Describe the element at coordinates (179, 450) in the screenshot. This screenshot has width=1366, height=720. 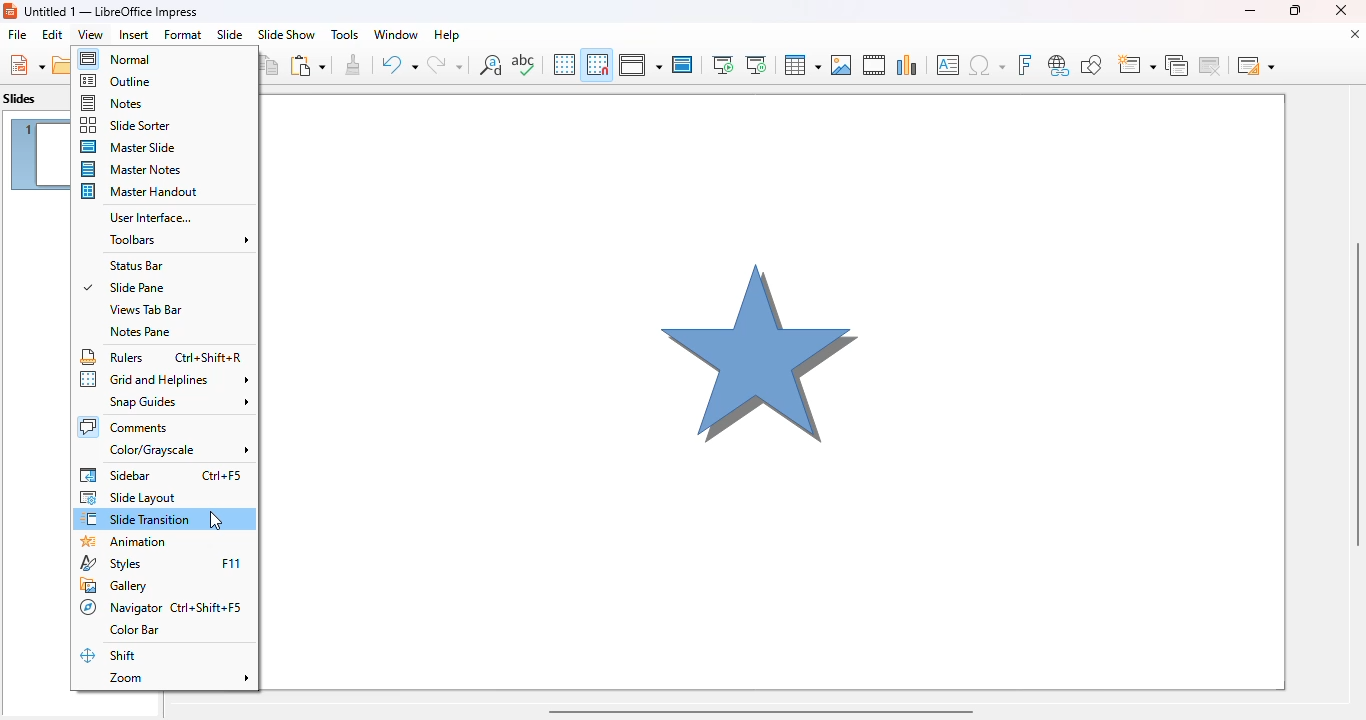
I see `color/grayscale` at that location.